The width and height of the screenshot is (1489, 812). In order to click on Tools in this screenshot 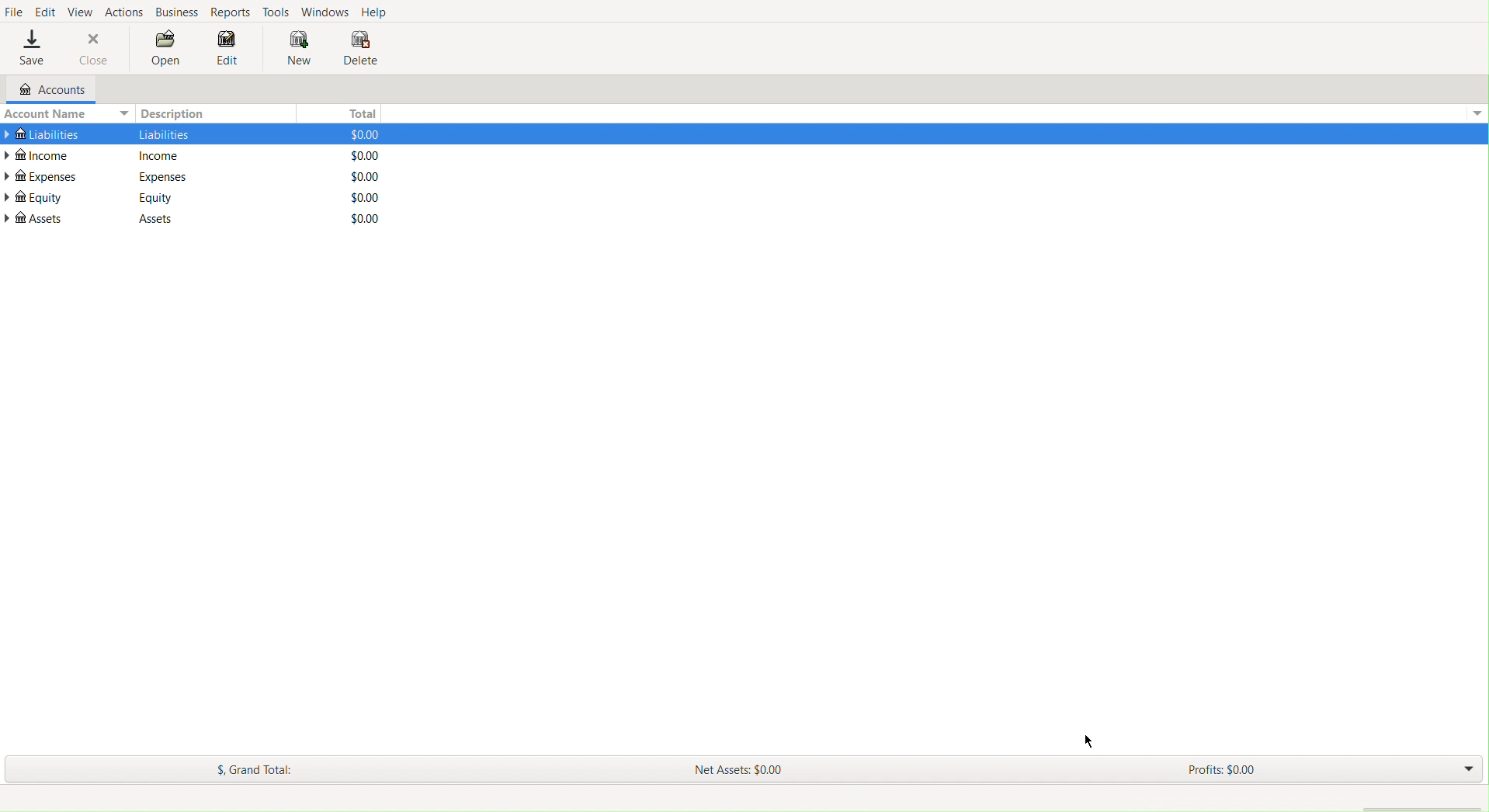, I will do `click(277, 11)`.